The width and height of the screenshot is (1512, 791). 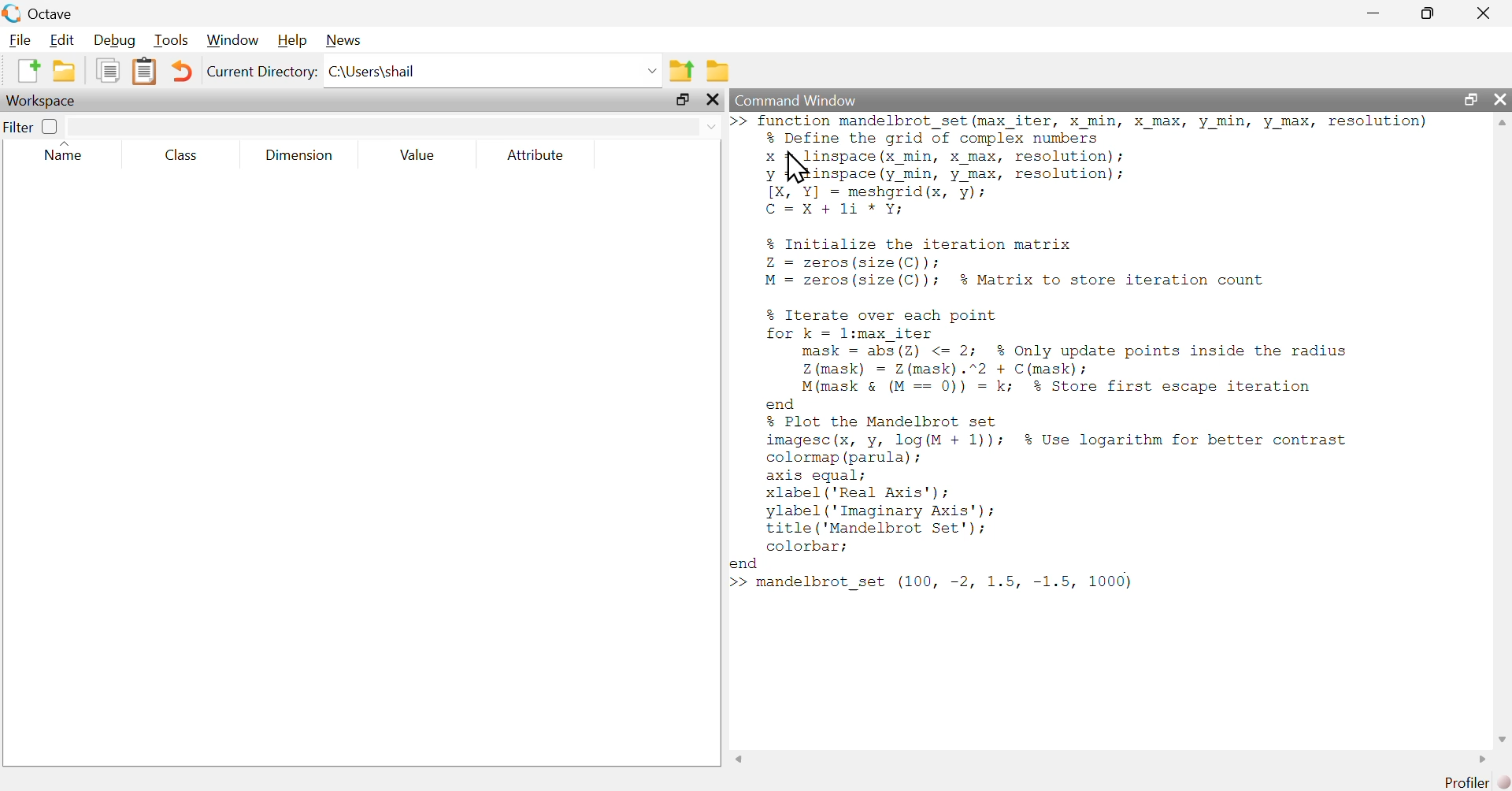 I want to click on Help, so click(x=290, y=41).